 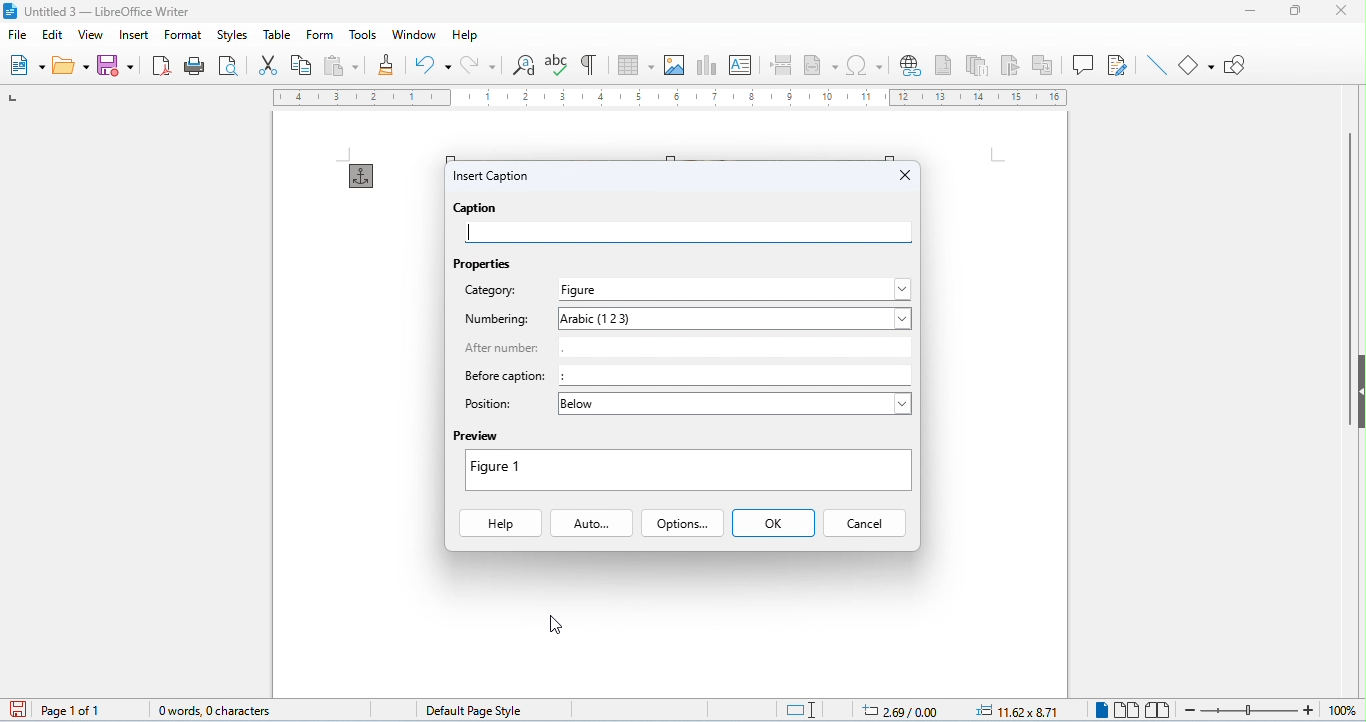 I want to click on insert chat, so click(x=708, y=65).